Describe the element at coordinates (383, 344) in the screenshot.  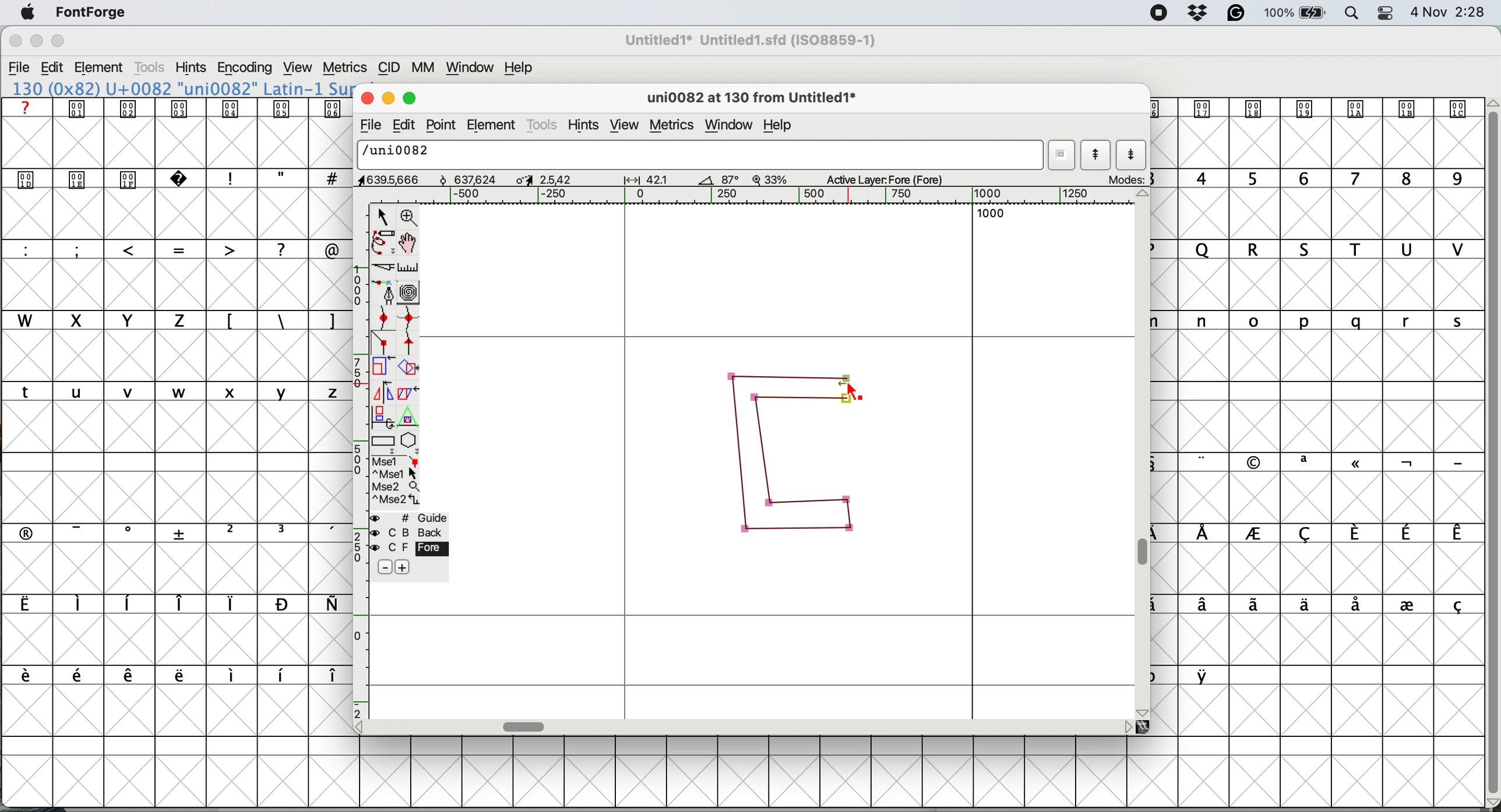
I see `add a corner point` at that location.